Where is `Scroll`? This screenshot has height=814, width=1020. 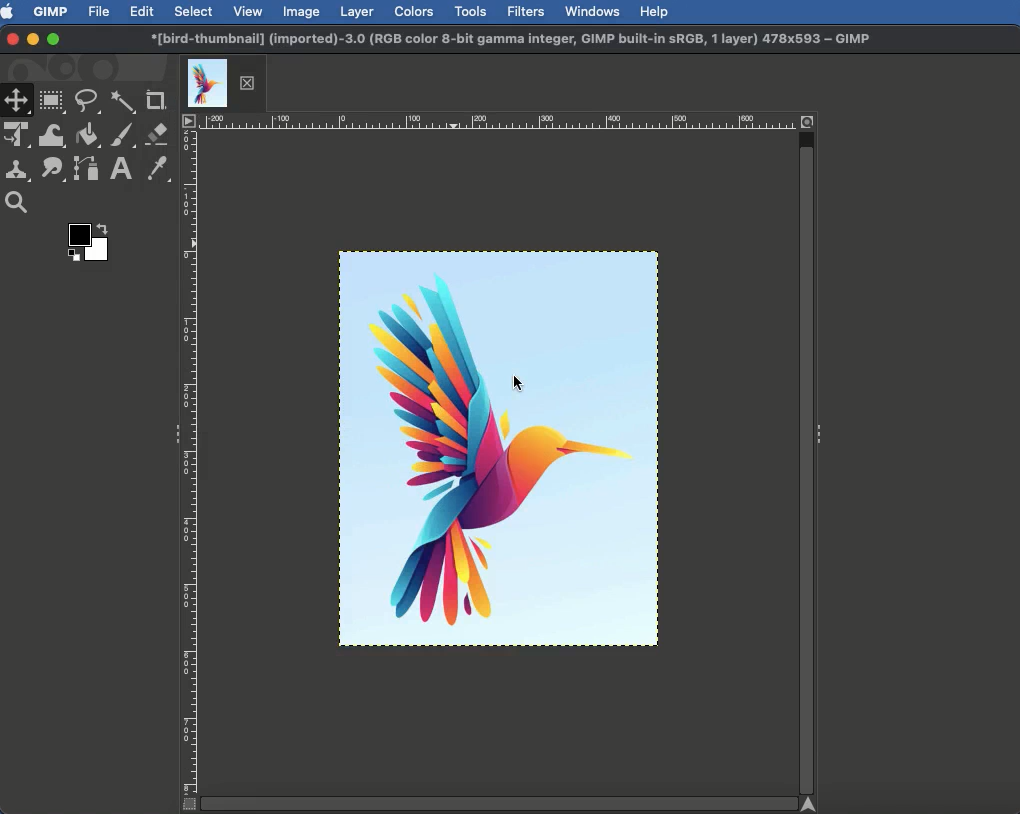
Scroll is located at coordinates (499, 804).